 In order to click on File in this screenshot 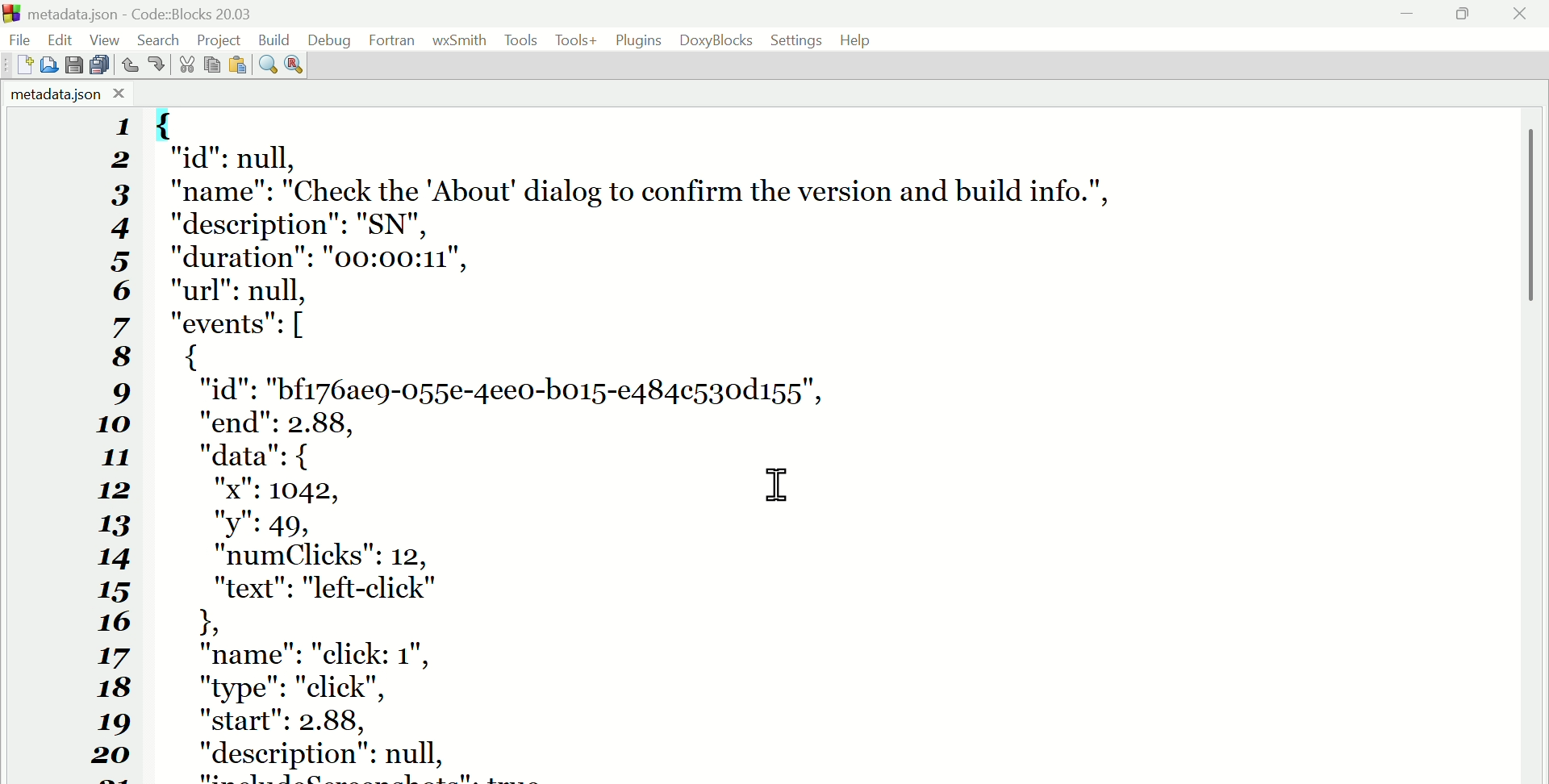, I will do `click(24, 38)`.